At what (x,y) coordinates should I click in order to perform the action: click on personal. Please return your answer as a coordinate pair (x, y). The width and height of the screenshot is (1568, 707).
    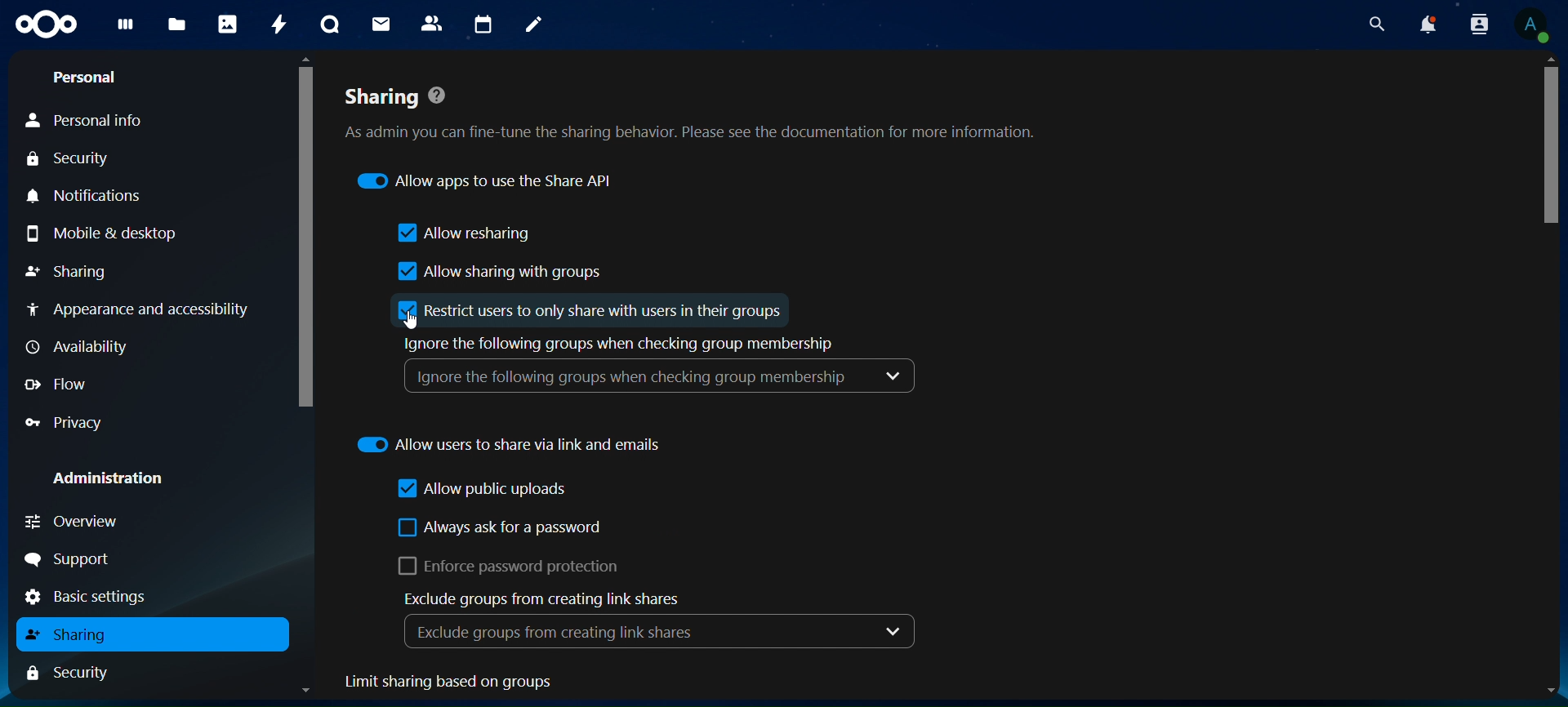
    Looking at the image, I should click on (87, 78).